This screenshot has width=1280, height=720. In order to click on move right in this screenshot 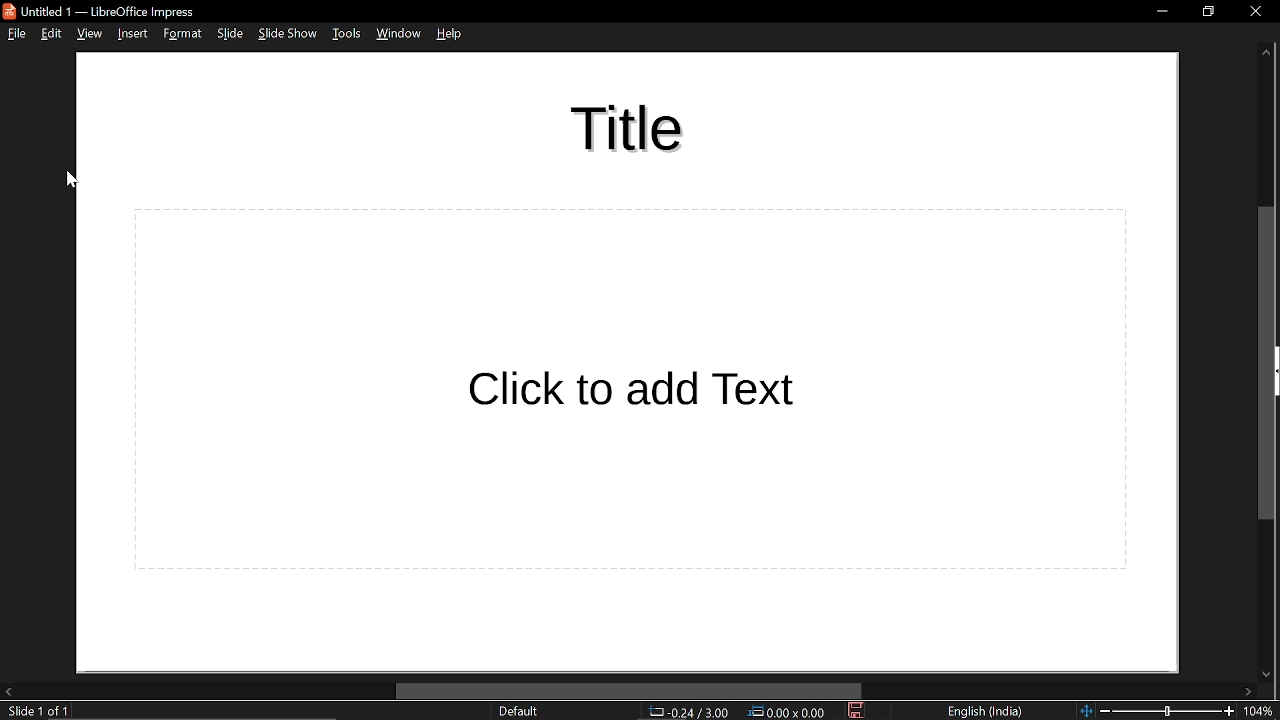, I will do `click(1247, 692)`.